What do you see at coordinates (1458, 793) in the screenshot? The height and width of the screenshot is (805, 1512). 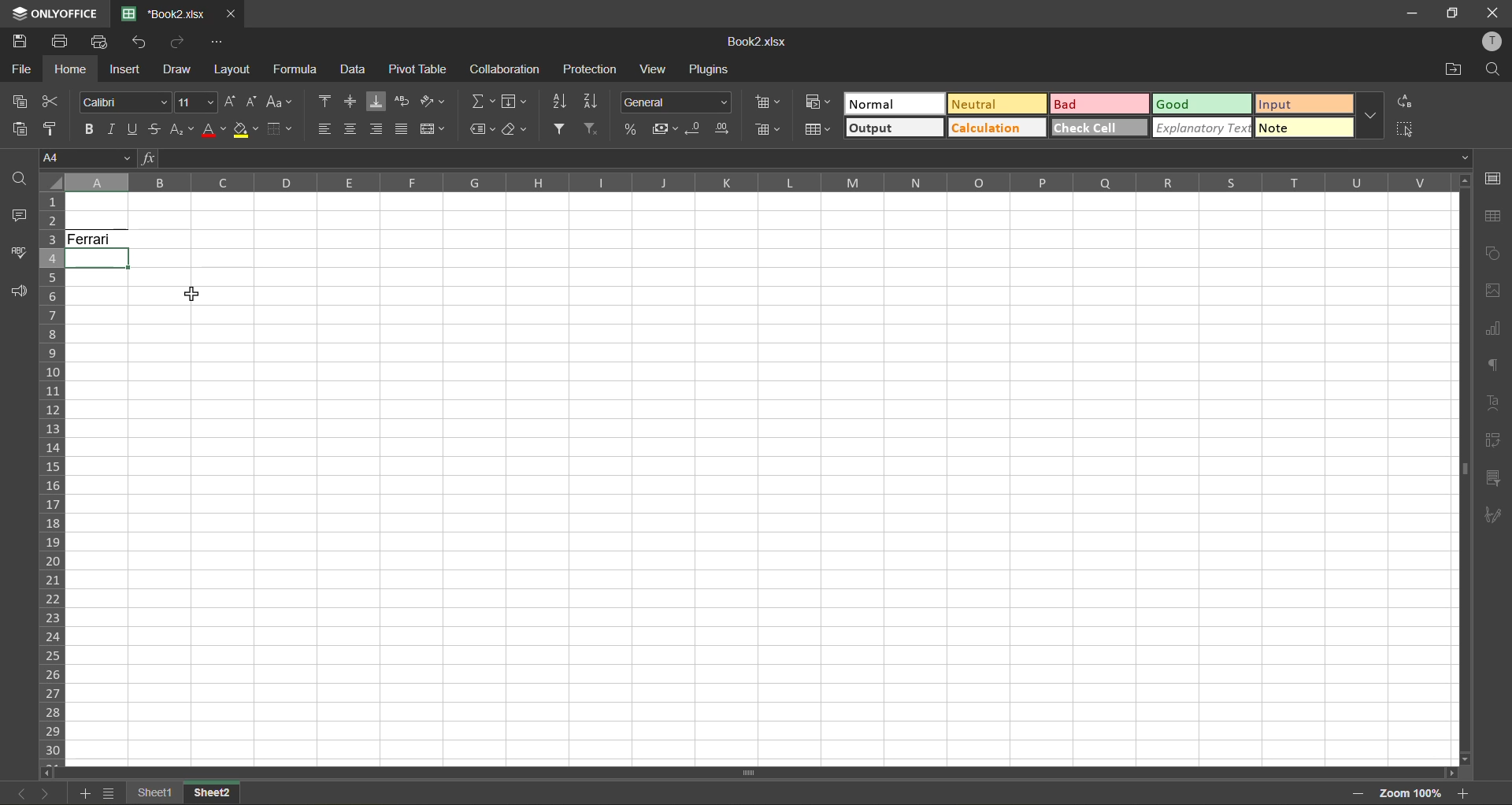 I see `zoom in` at bounding box center [1458, 793].